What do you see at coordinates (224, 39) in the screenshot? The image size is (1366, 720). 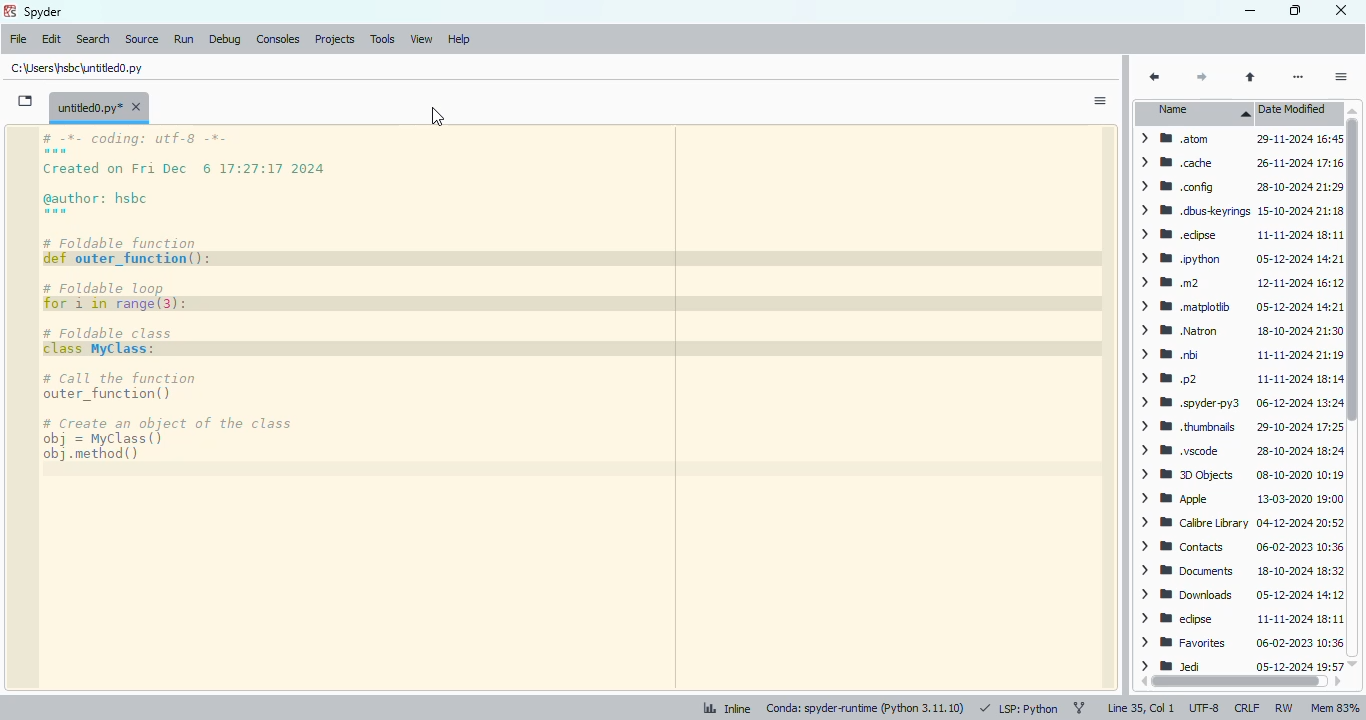 I see `debug` at bounding box center [224, 39].